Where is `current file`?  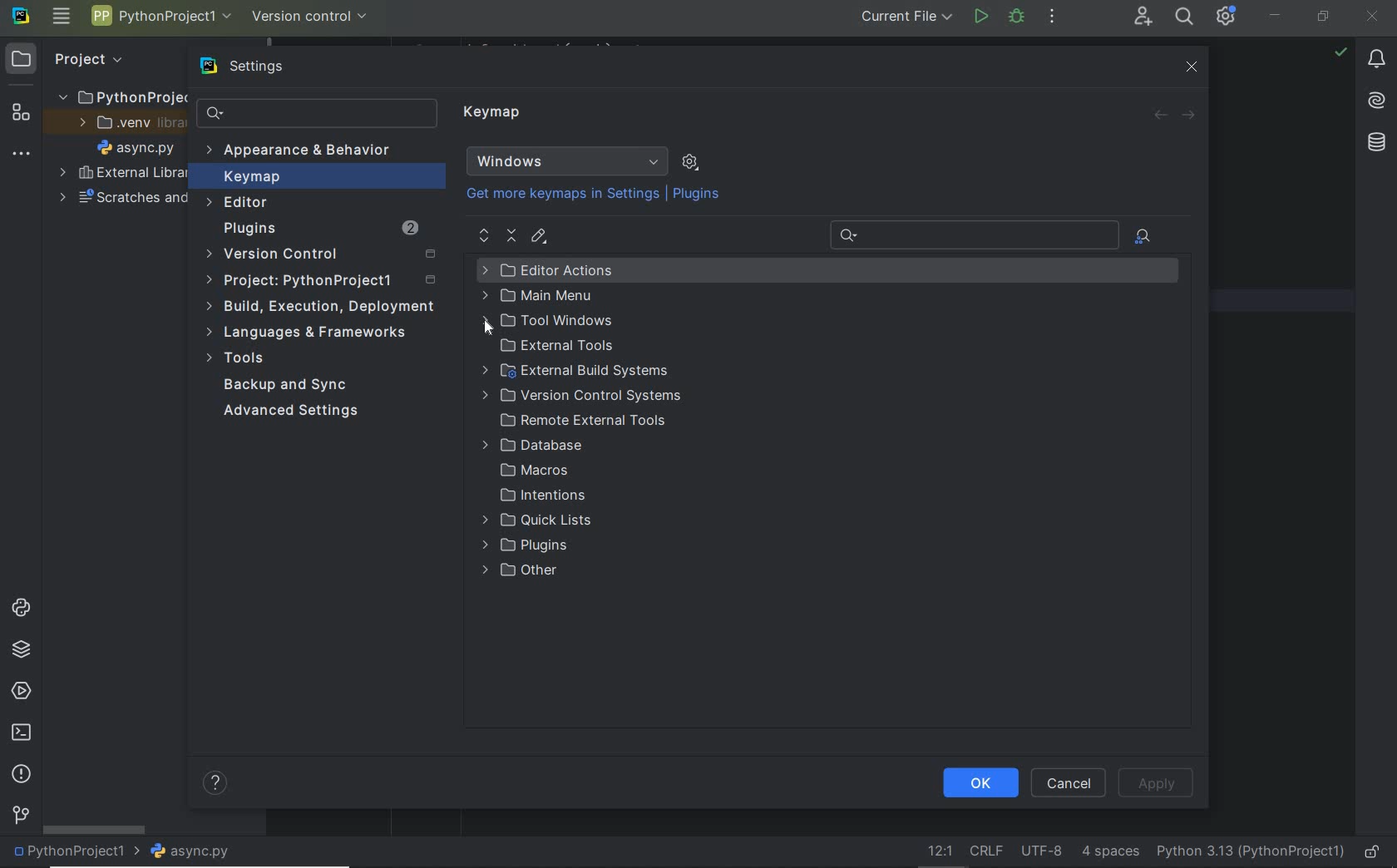
current file is located at coordinates (901, 18).